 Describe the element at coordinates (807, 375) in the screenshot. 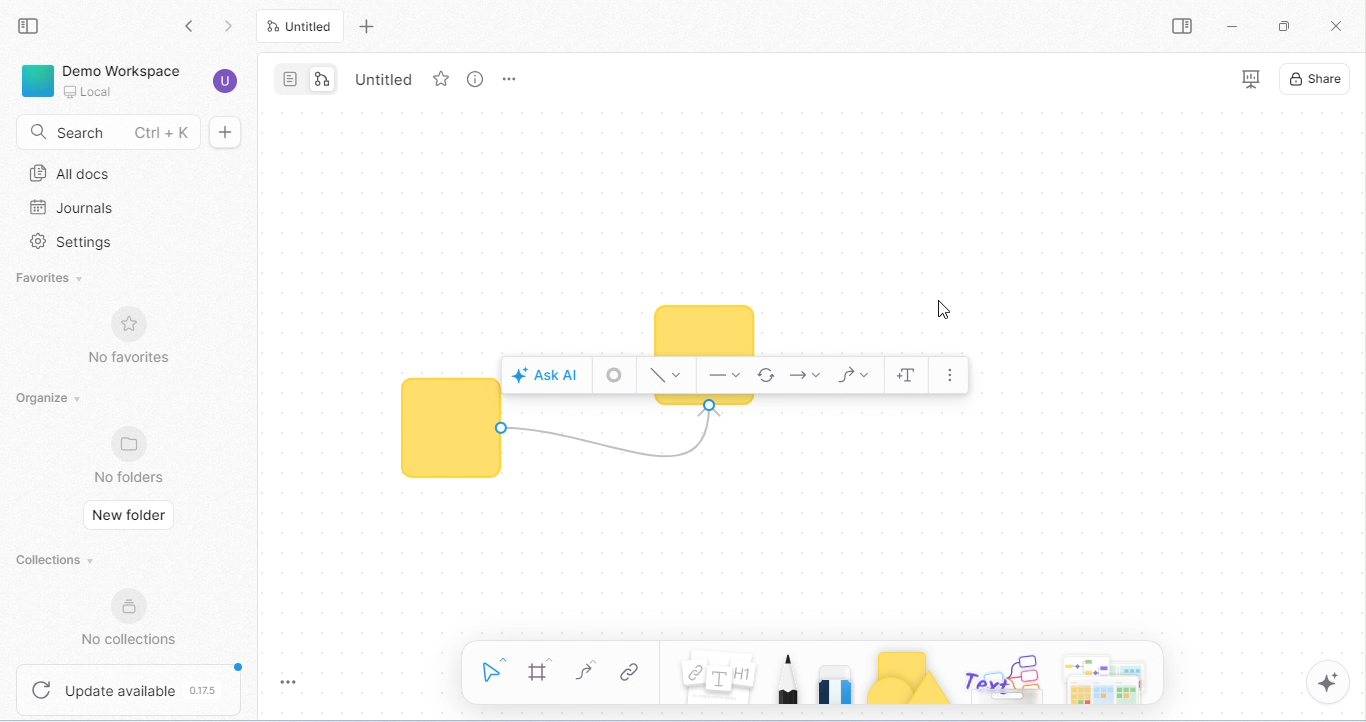

I see `endpoint style` at that location.